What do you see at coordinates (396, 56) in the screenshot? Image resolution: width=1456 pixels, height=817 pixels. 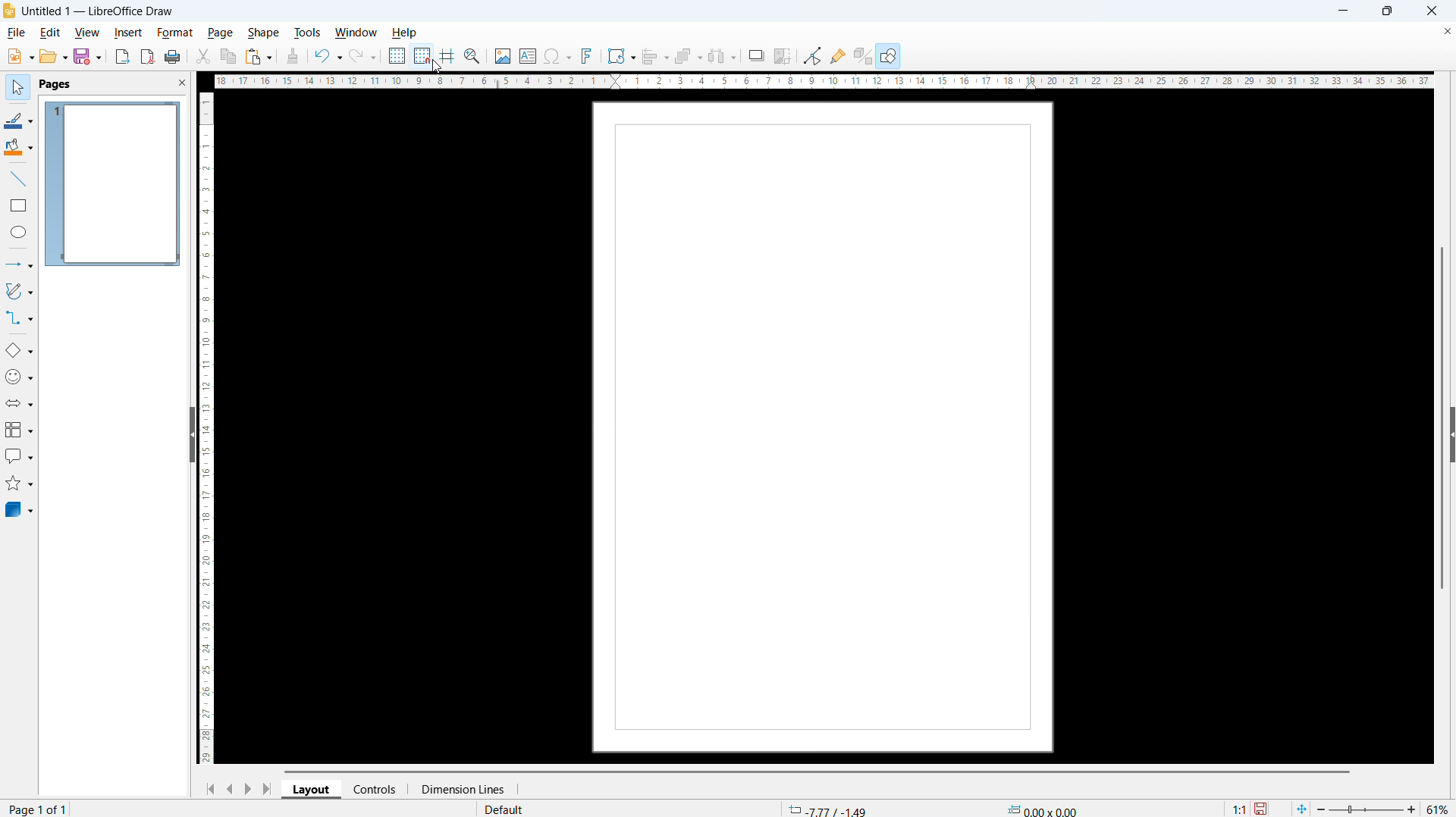 I see `Show grid ` at bounding box center [396, 56].